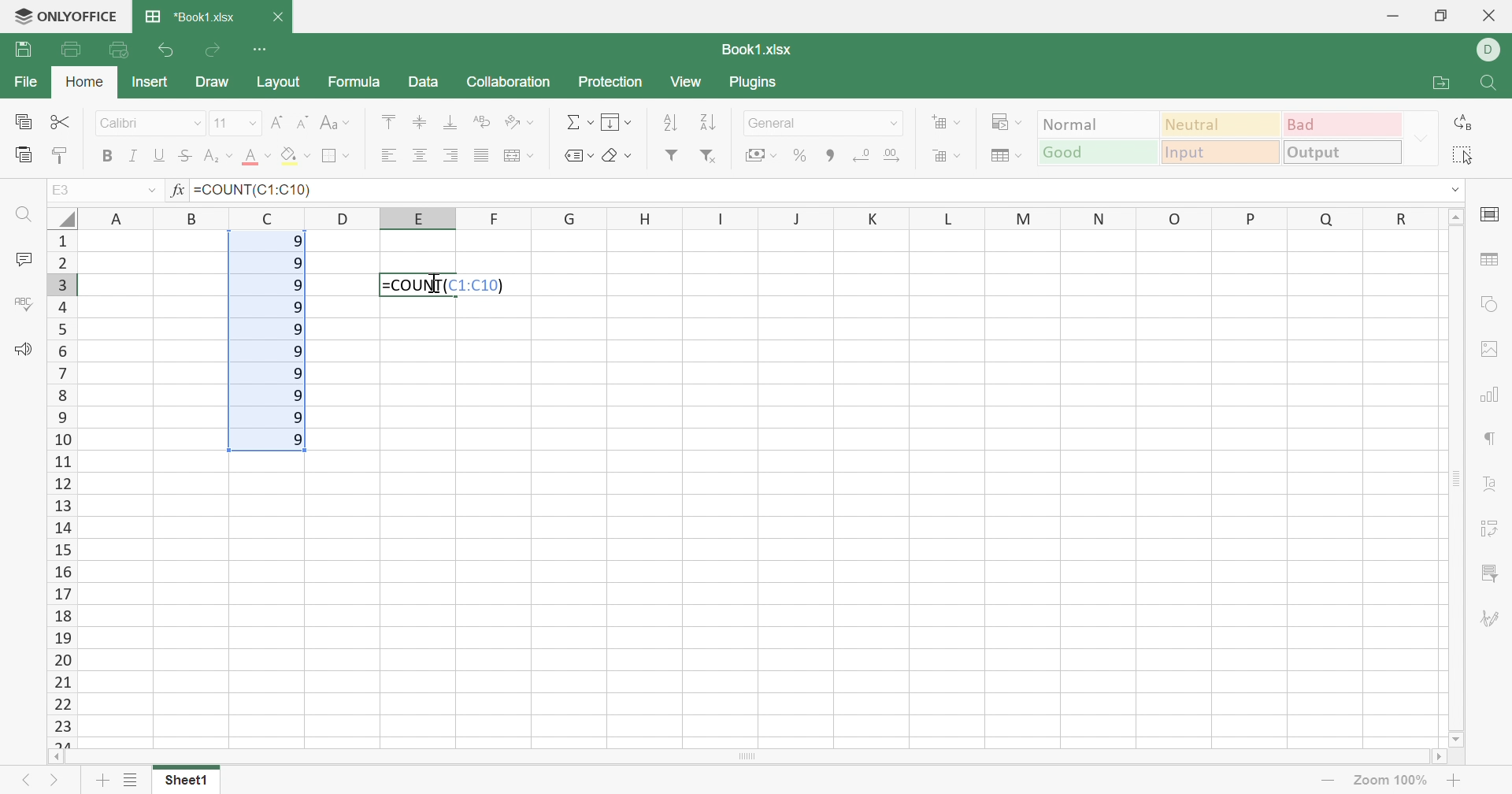 Image resolution: width=1512 pixels, height=794 pixels. Describe the element at coordinates (453, 155) in the screenshot. I see `Align Right` at that location.